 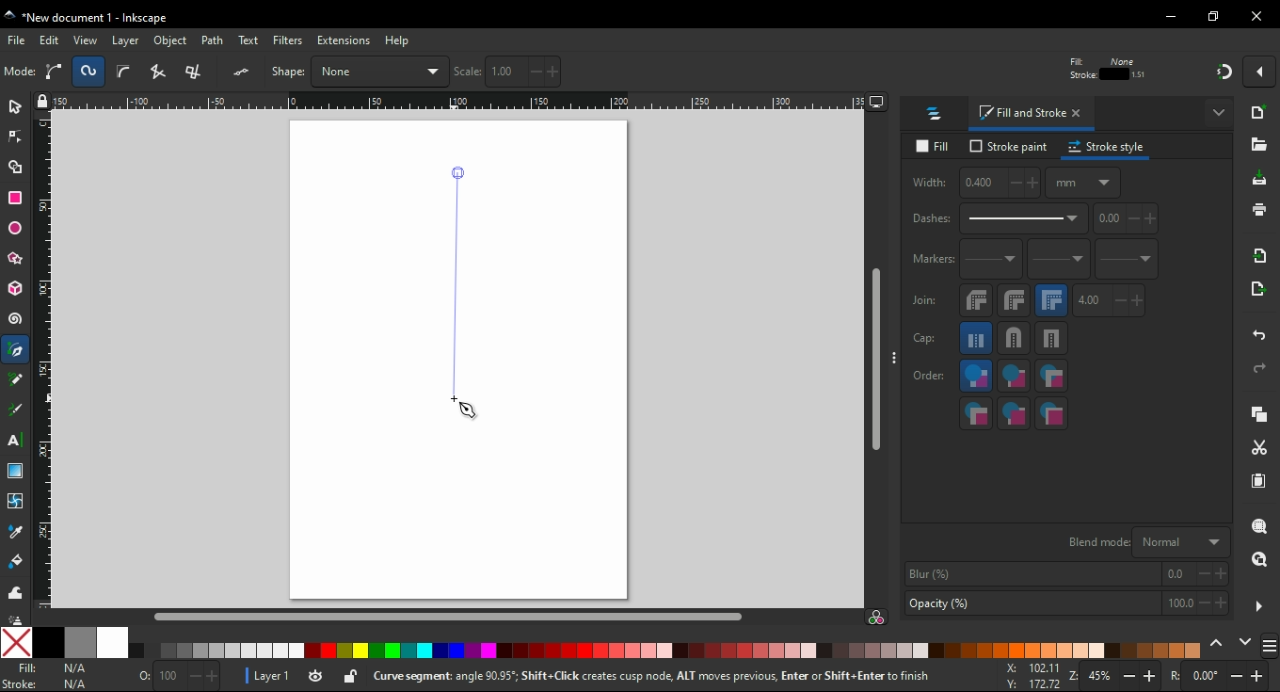 I want to click on color tone pallete, so click(x=1166, y=649).